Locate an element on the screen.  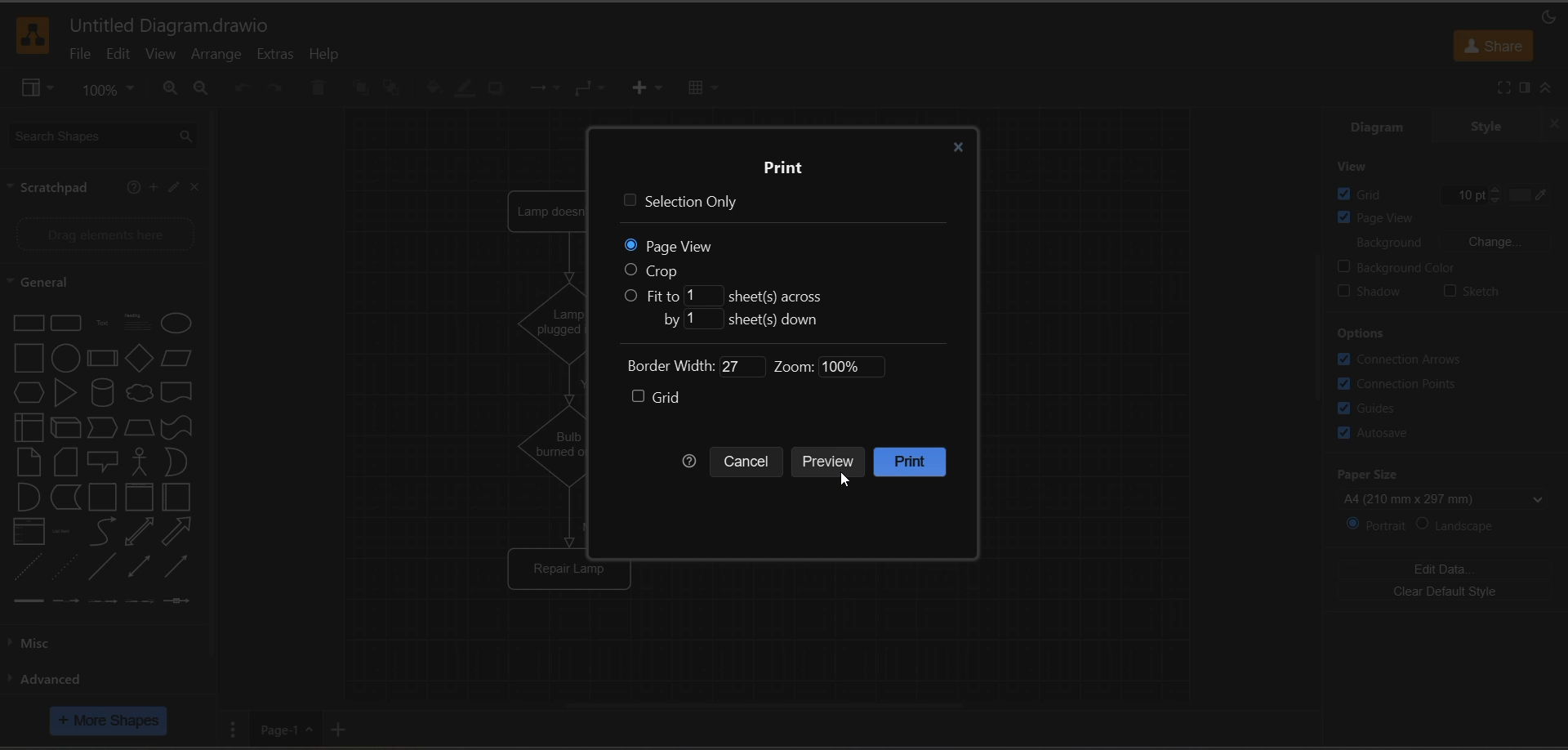
help is located at coordinates (327, 55).